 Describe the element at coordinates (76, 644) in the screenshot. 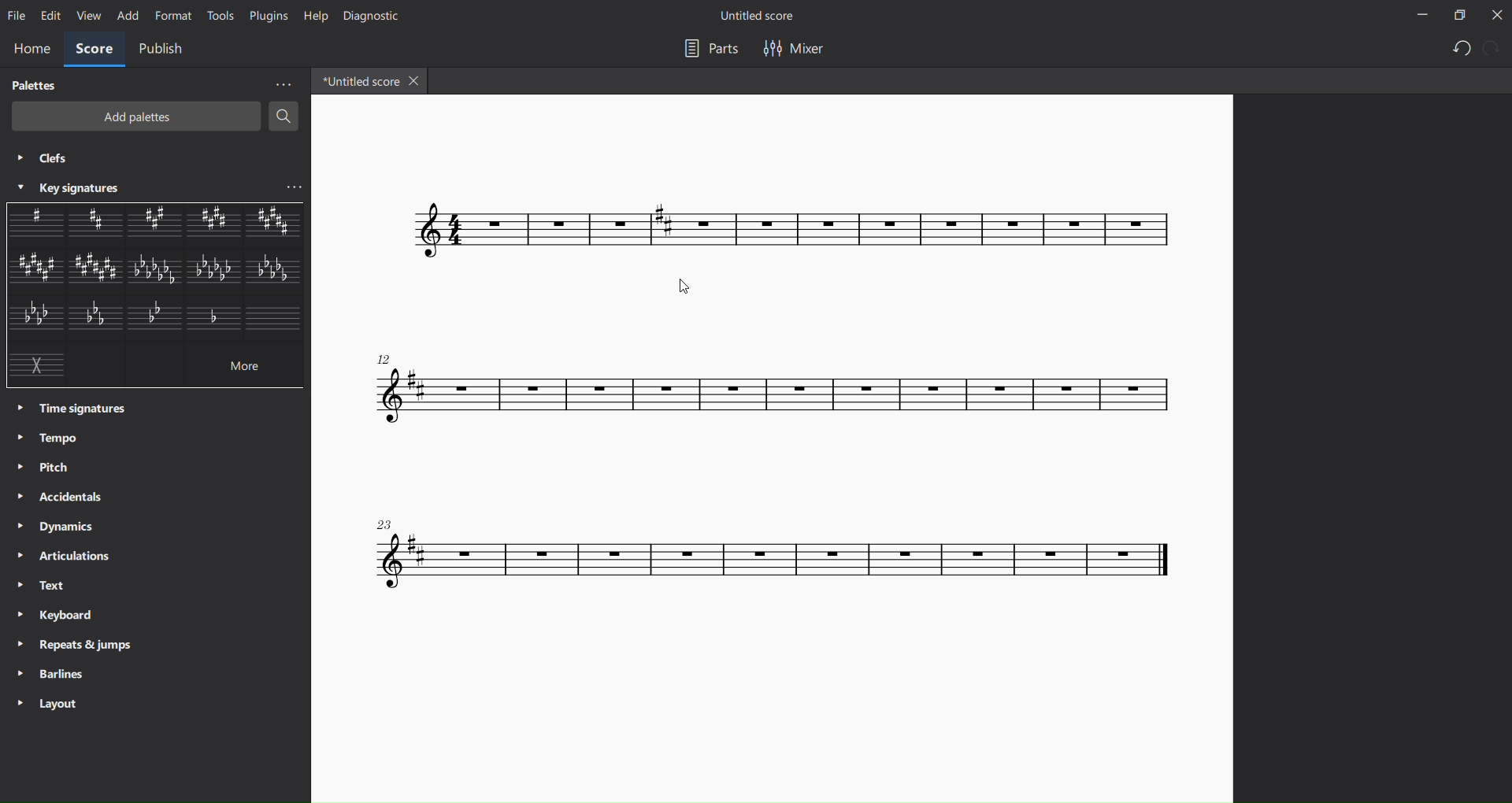

I see `repeats and jumps` at that location.